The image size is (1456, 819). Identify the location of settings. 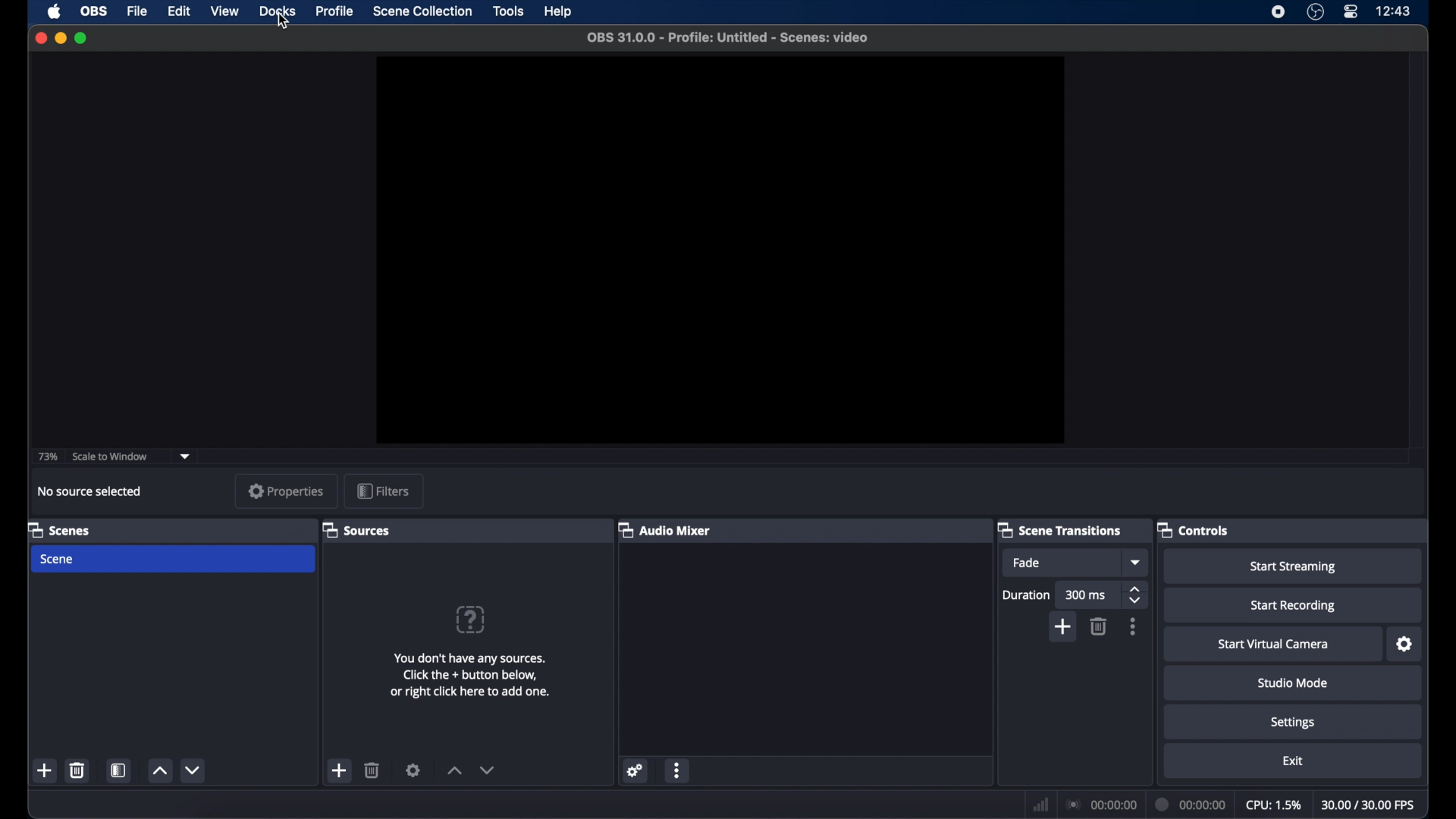
(1294, 723).